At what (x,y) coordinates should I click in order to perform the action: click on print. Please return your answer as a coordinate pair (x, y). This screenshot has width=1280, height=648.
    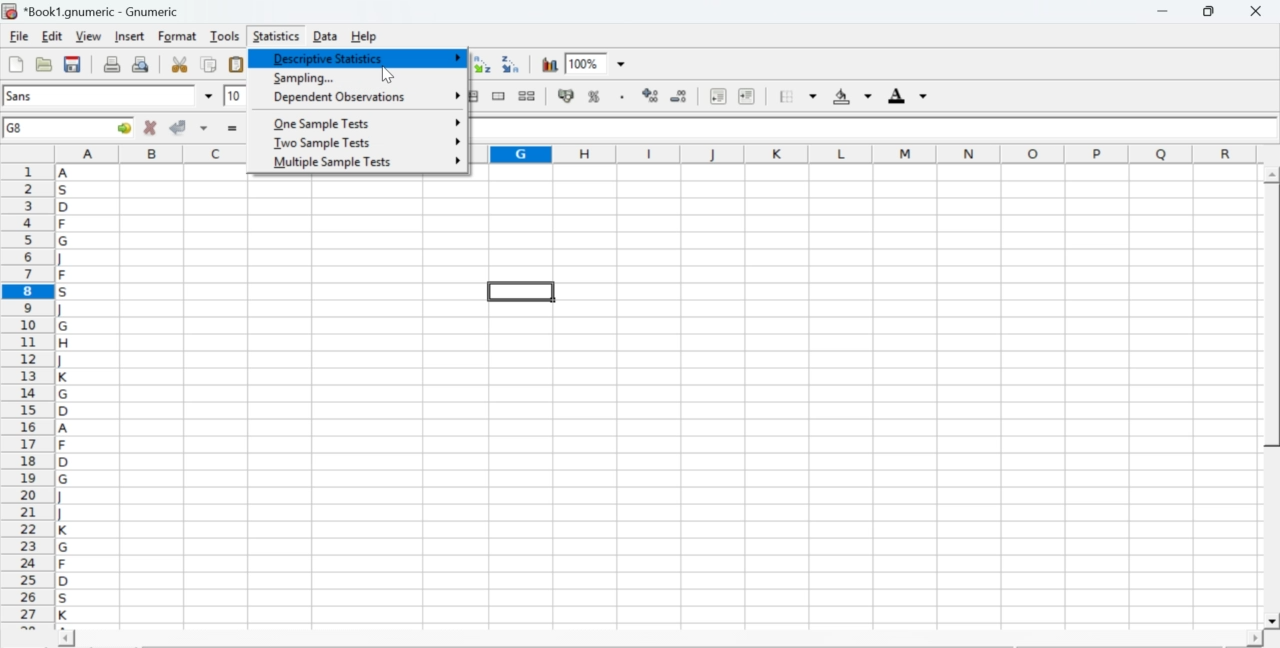
    Looking at the image, I should click on (112, 63).